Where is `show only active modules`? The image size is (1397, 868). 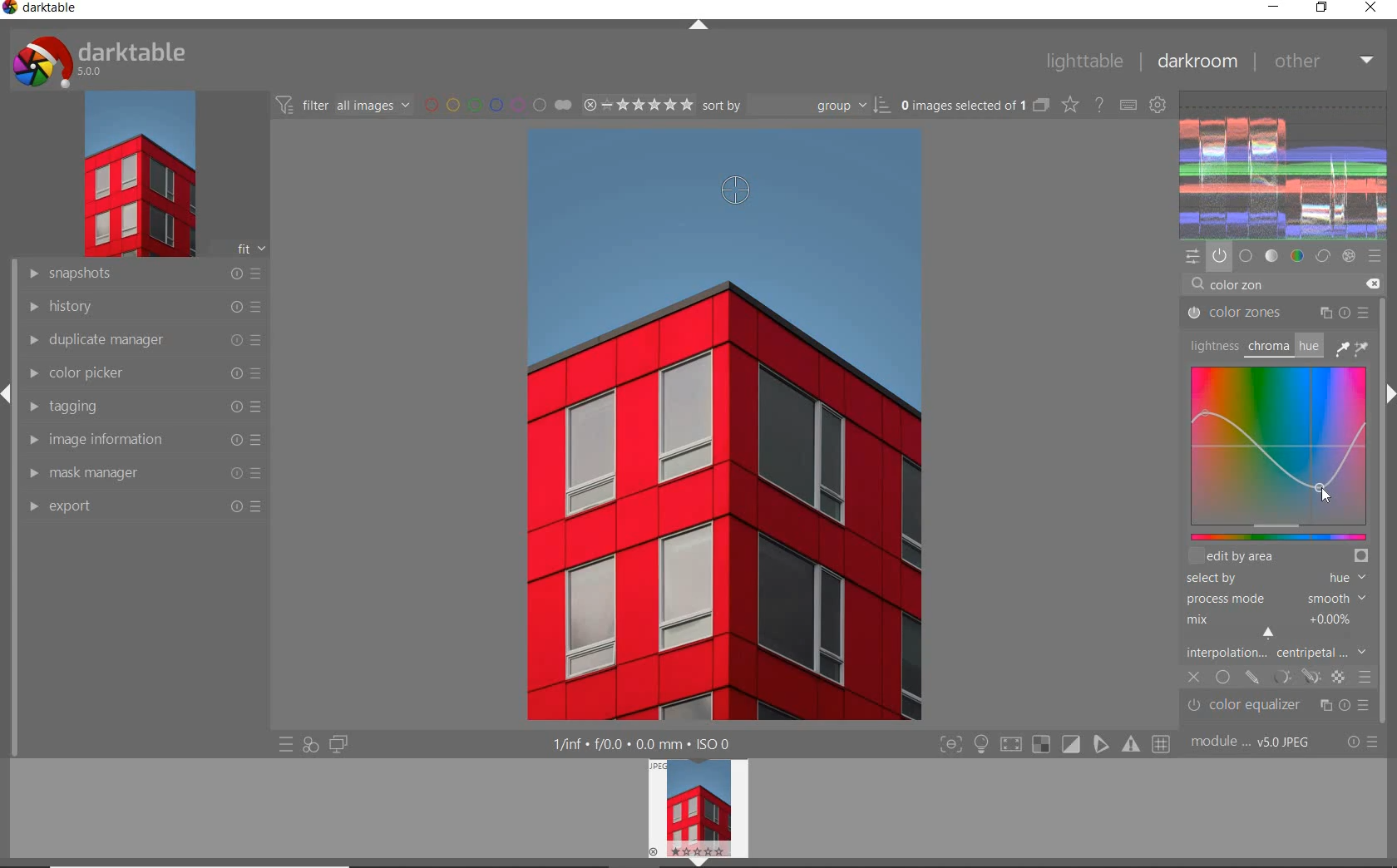
show only active modules is located at coordinates (1219, 255).